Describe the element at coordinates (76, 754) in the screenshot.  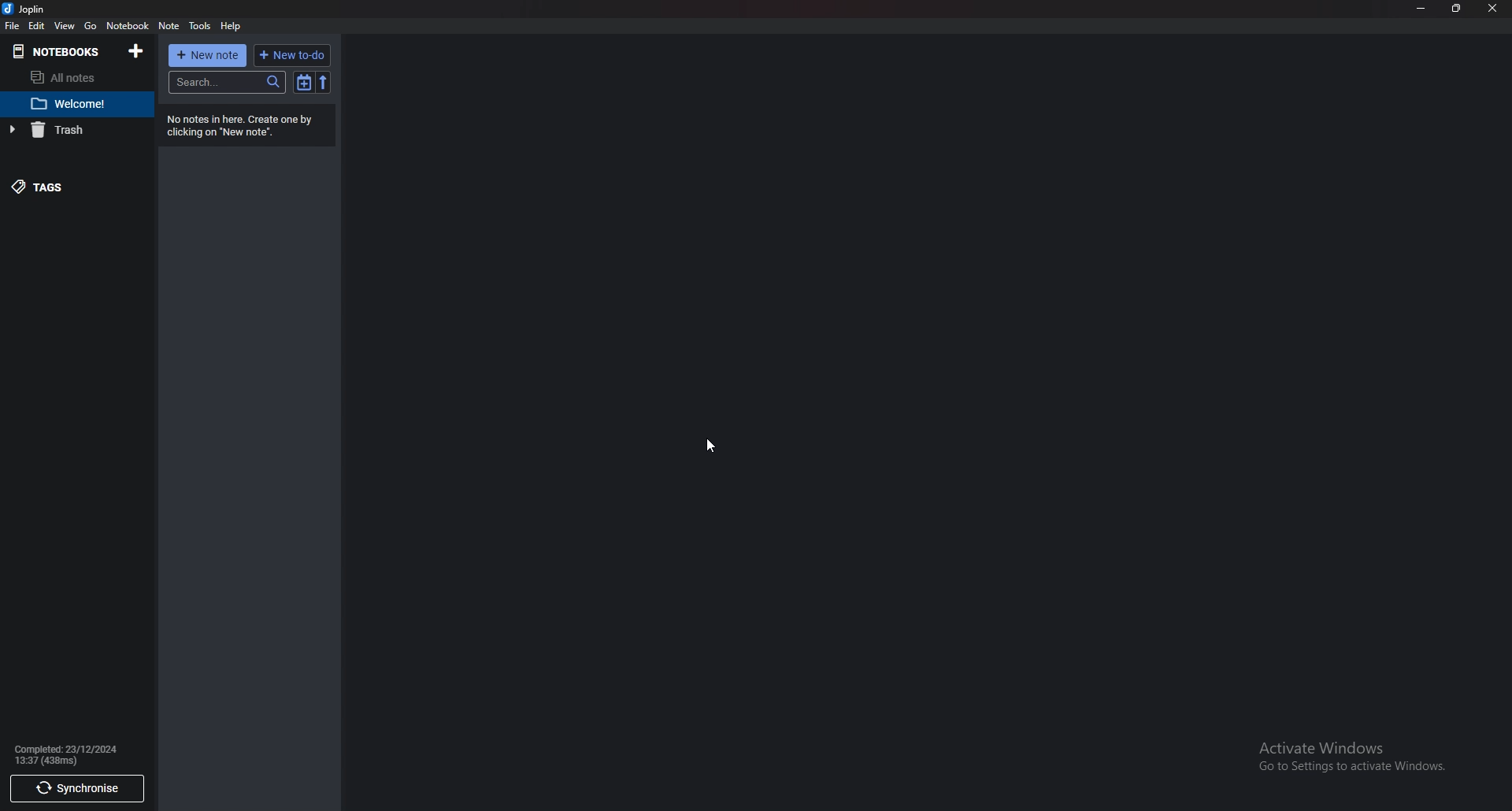
I see `Info` at that location.